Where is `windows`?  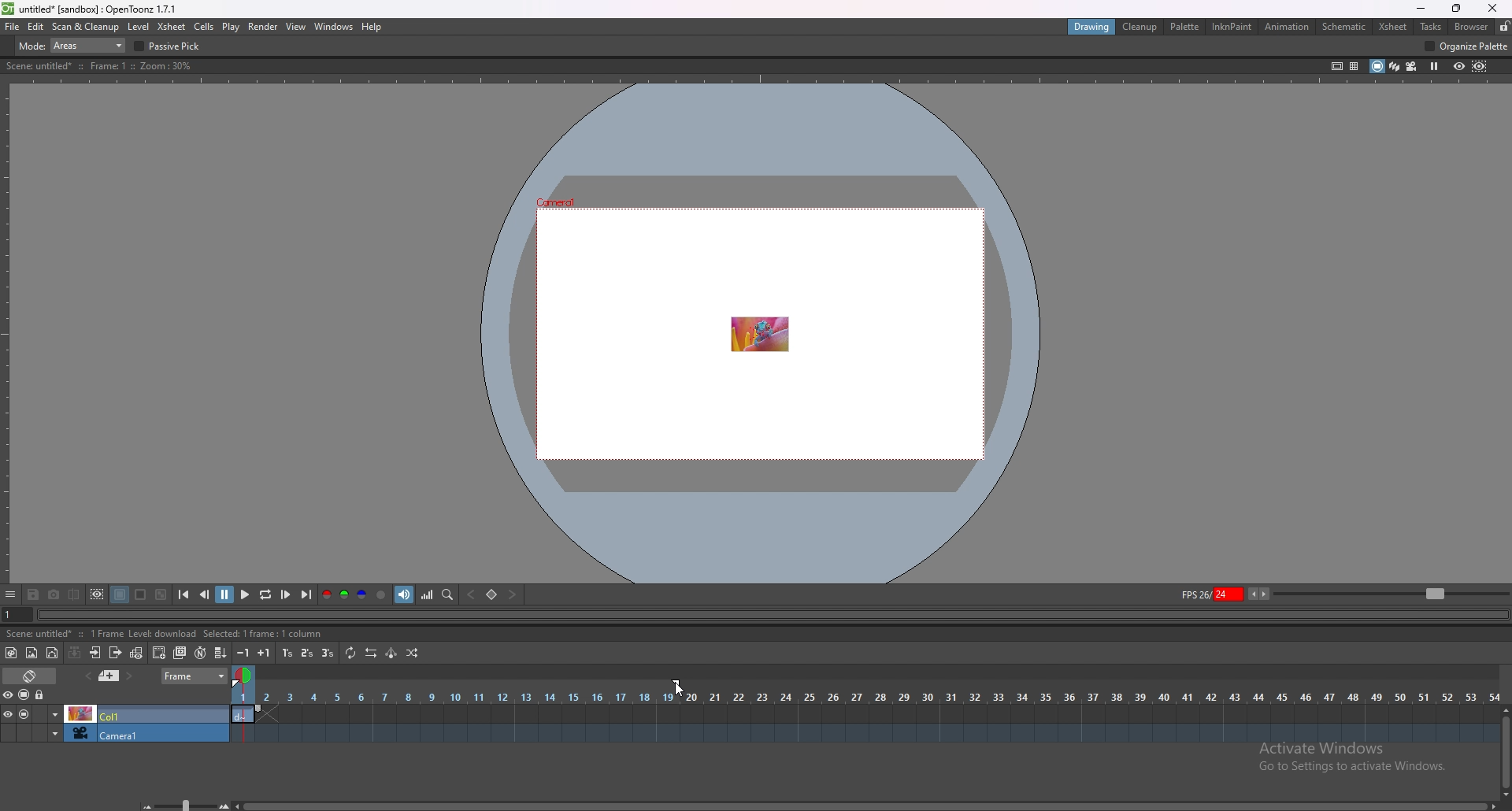
windows is located at coordinates (334, 27).